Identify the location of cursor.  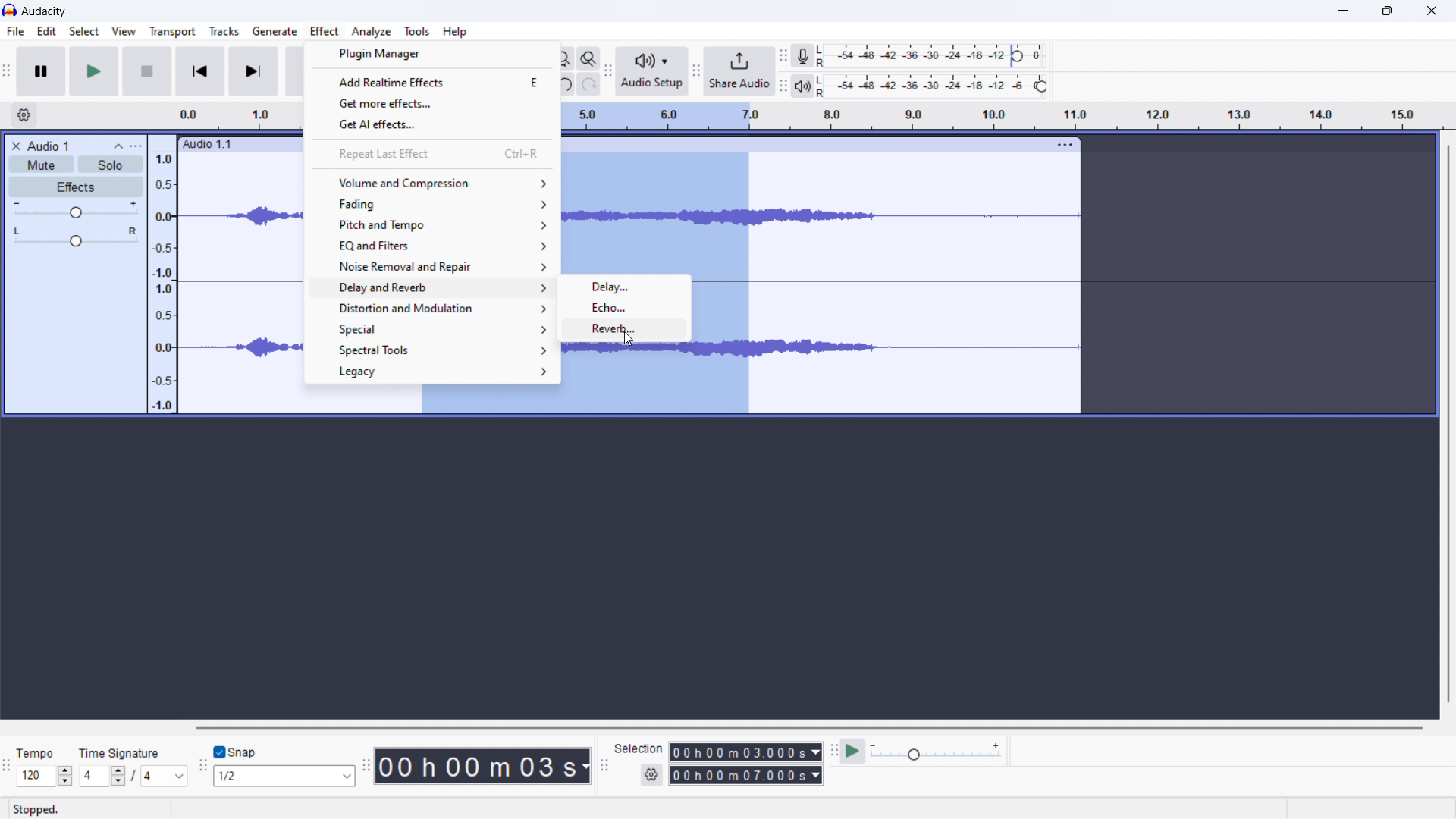
(629, 340).